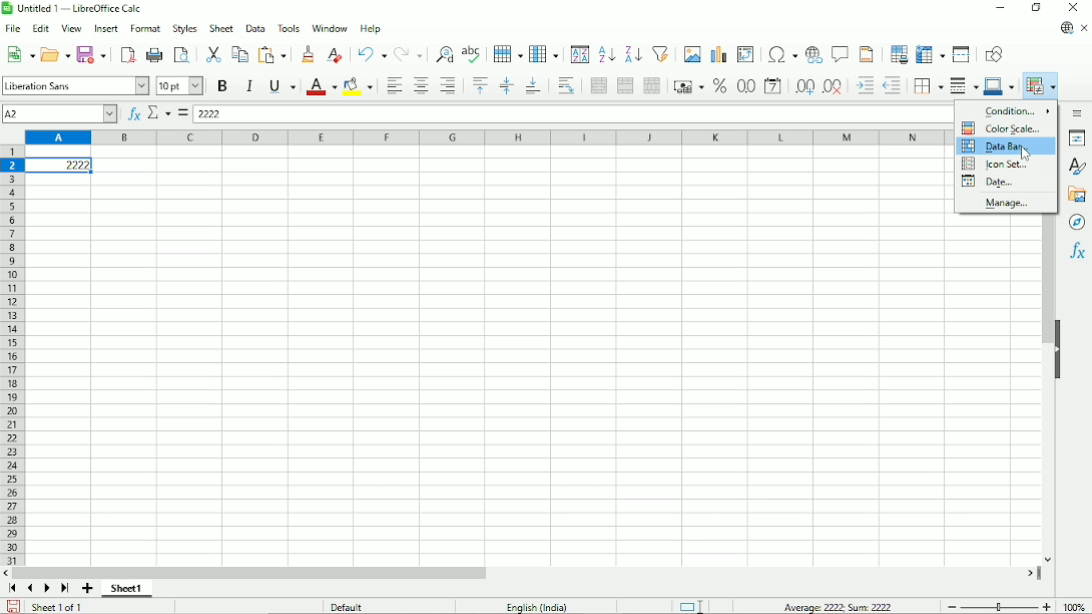  I want to click on Merge cells, so click(625, 85).